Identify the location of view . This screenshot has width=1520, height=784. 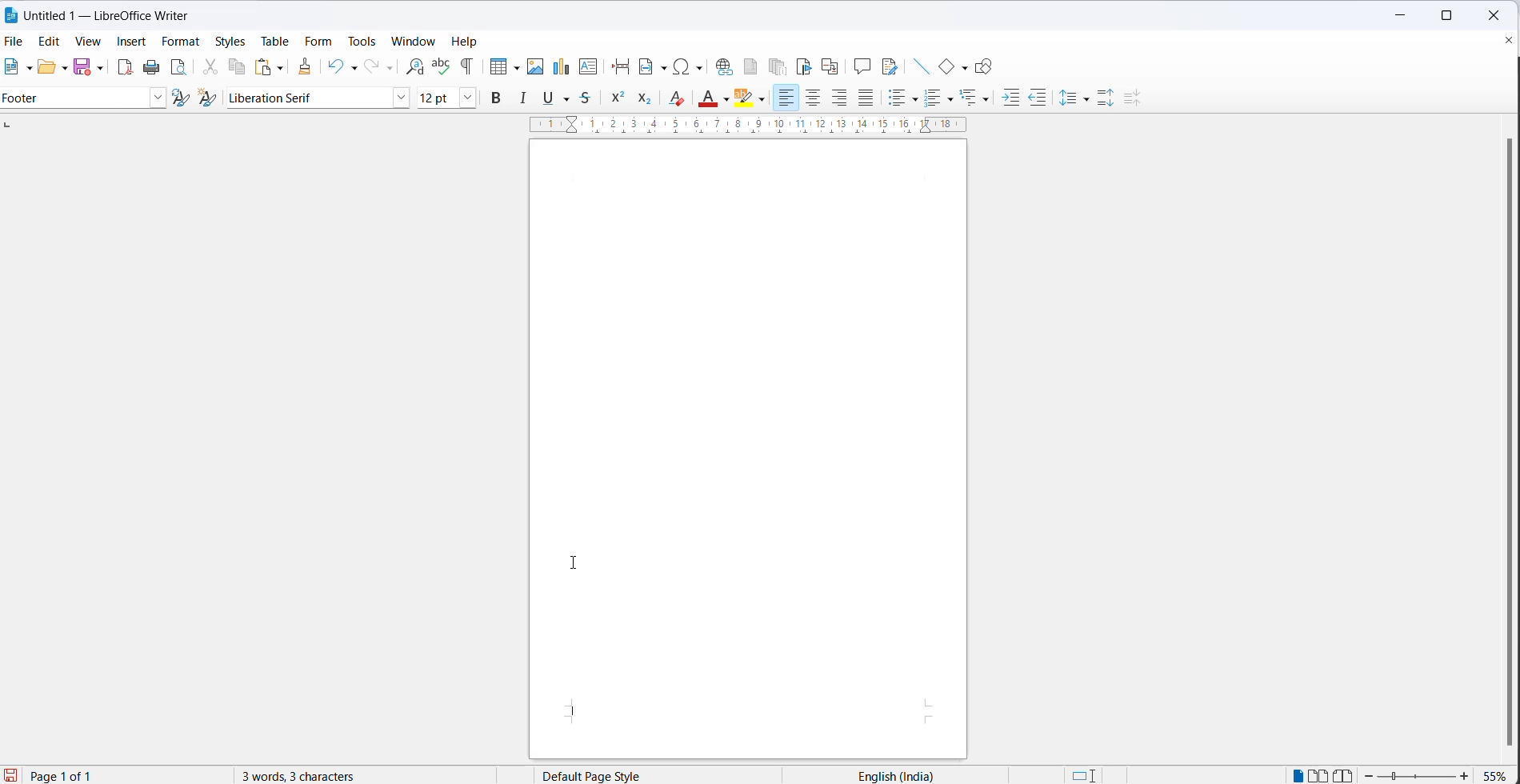
(90, 42).